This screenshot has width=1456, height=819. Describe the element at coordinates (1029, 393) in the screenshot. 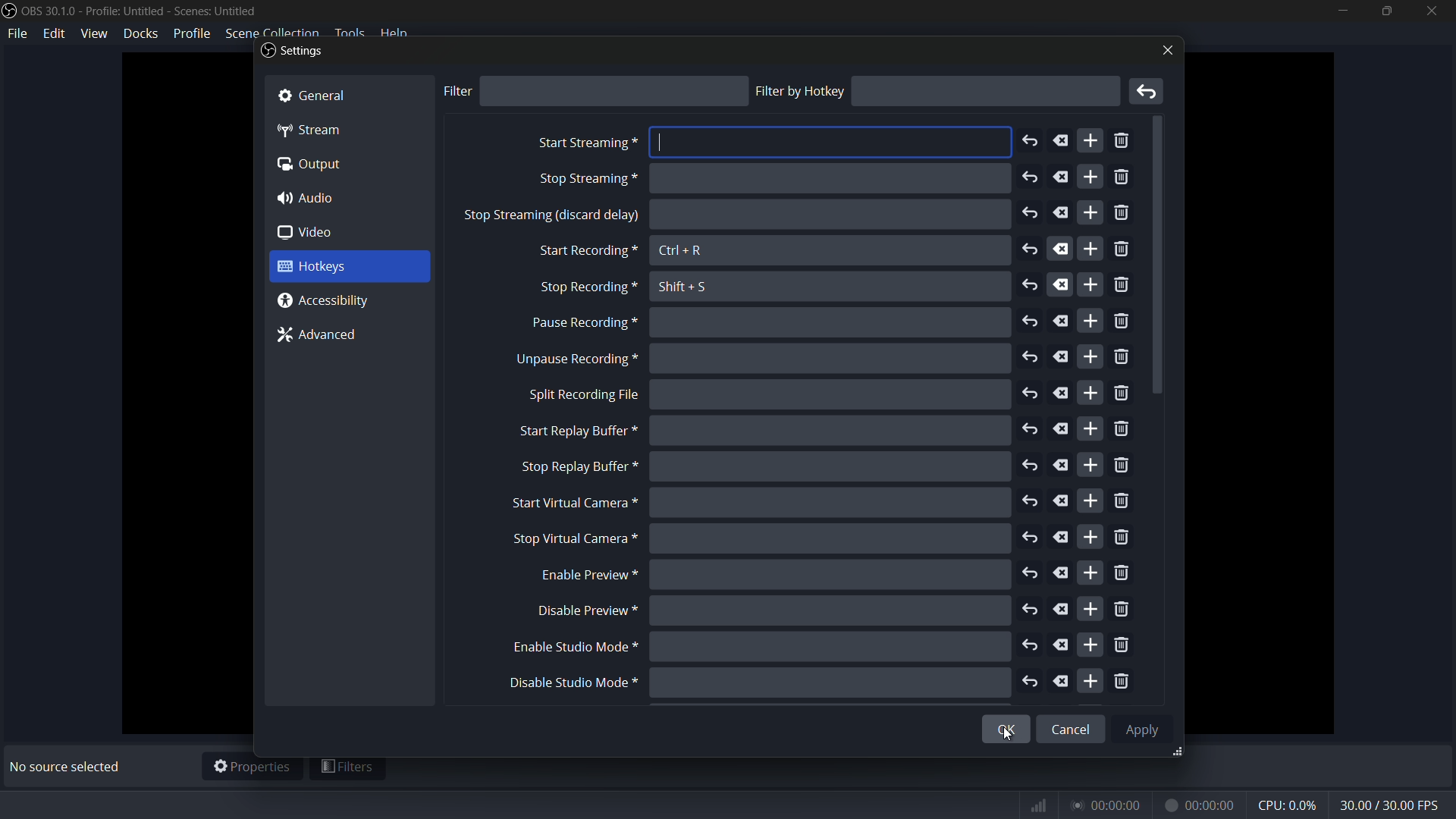

I see `undo` at that location.